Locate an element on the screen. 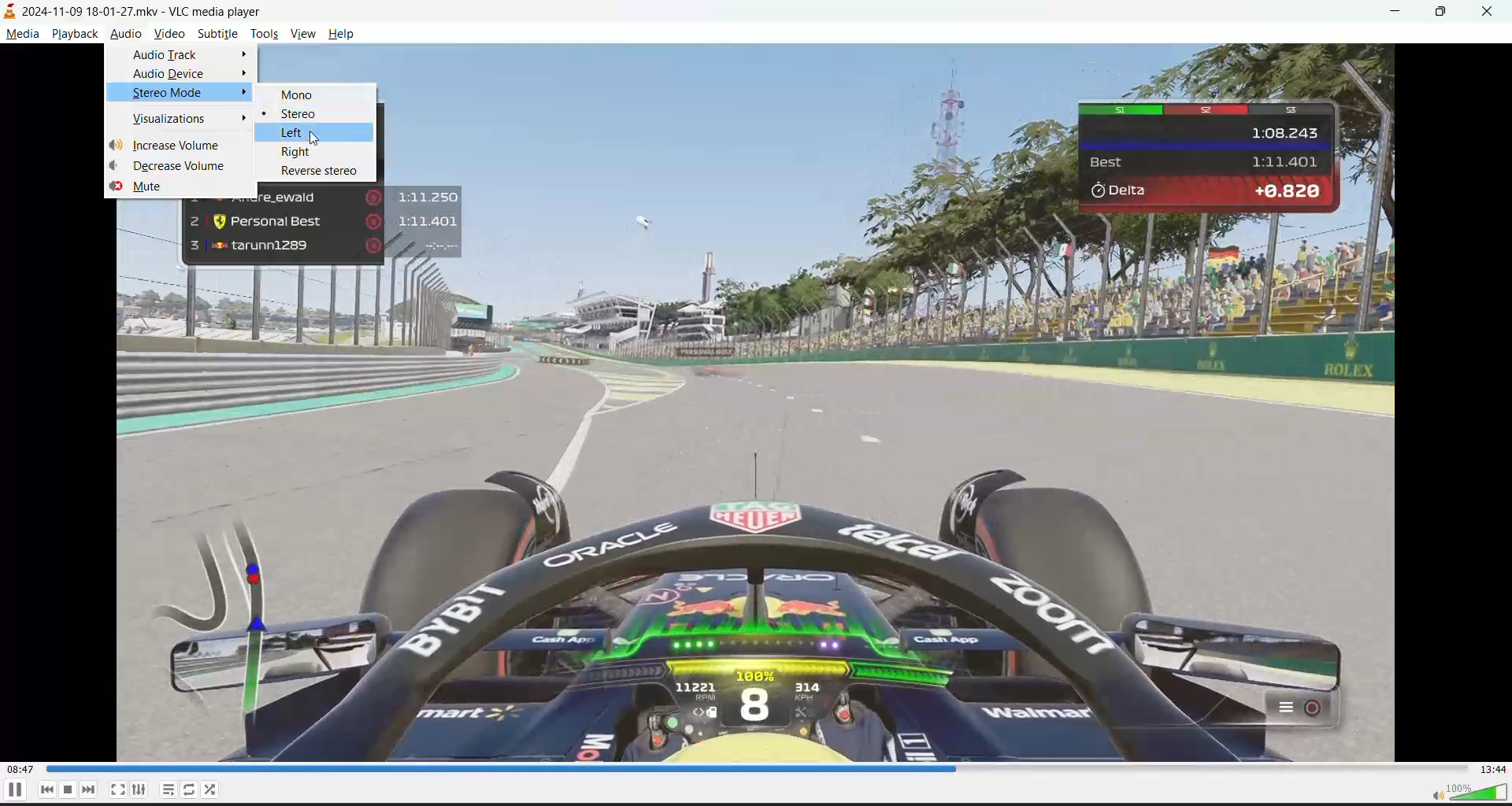 The width and height of the screenshot is (1512, 806). decrease volume is located at coordinates (180, 164).